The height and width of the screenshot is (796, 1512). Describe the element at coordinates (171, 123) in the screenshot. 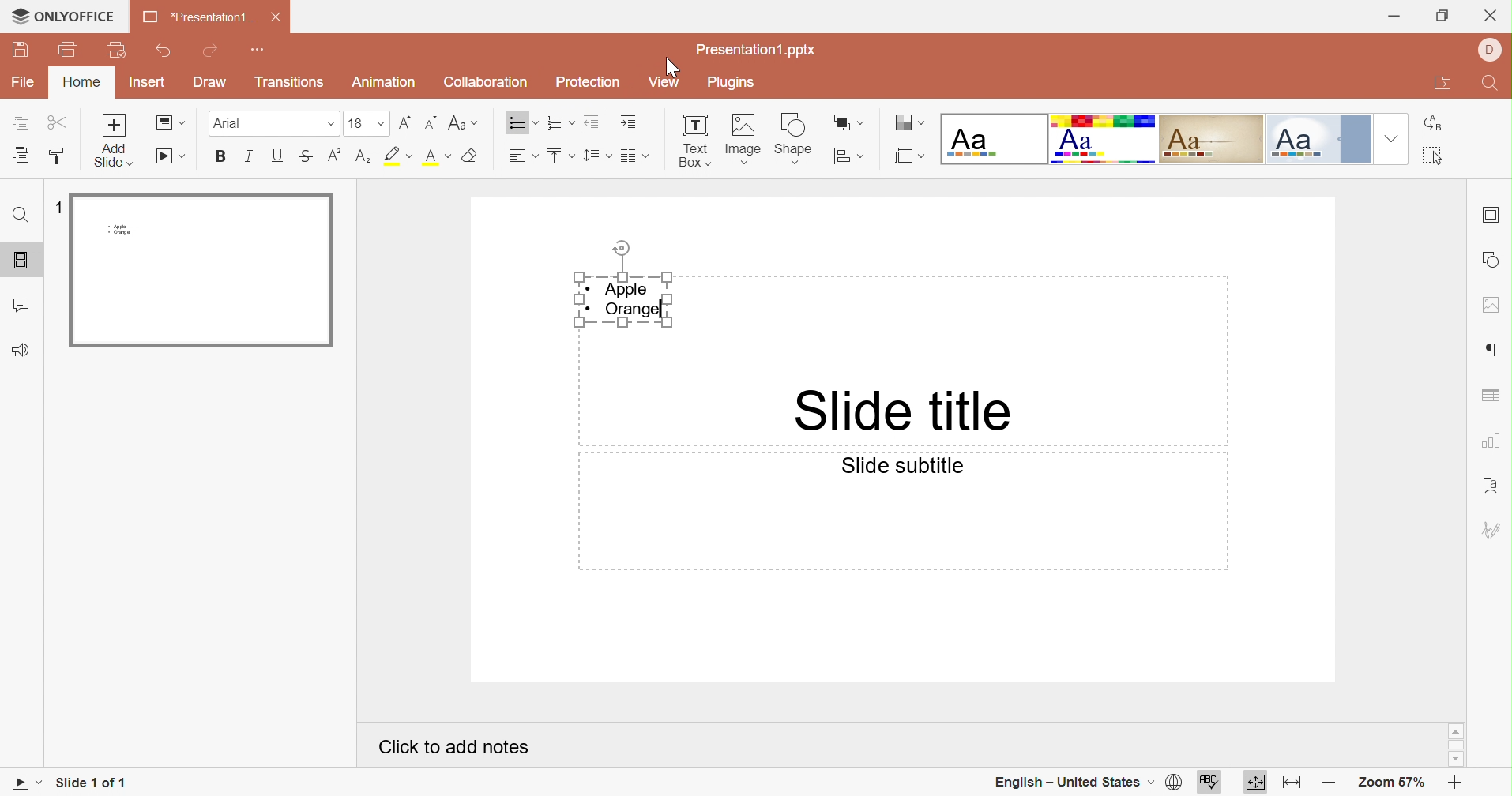

I see `Change slide layout` at that location.